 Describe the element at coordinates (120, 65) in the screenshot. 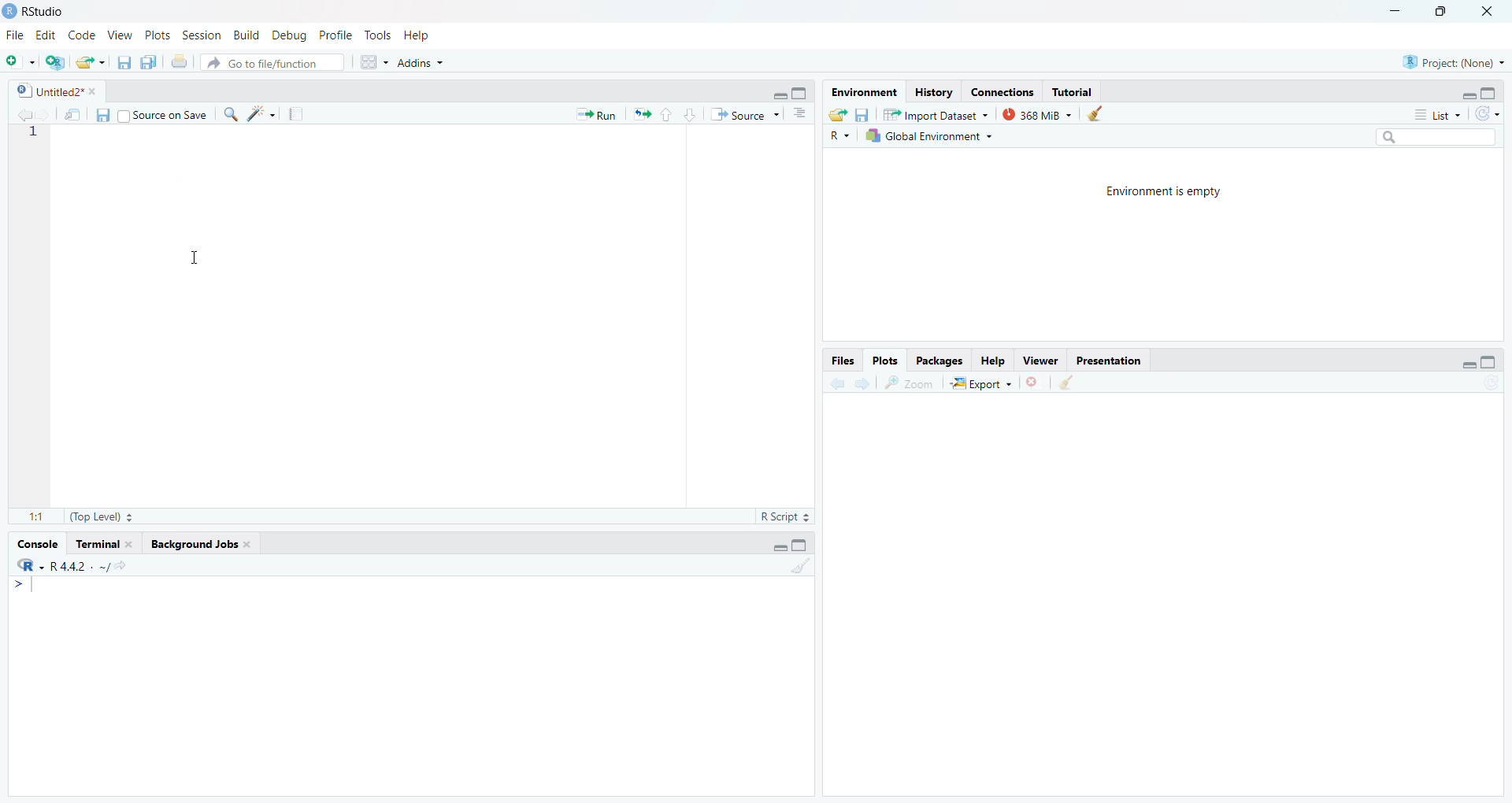

I see `save` at that location.